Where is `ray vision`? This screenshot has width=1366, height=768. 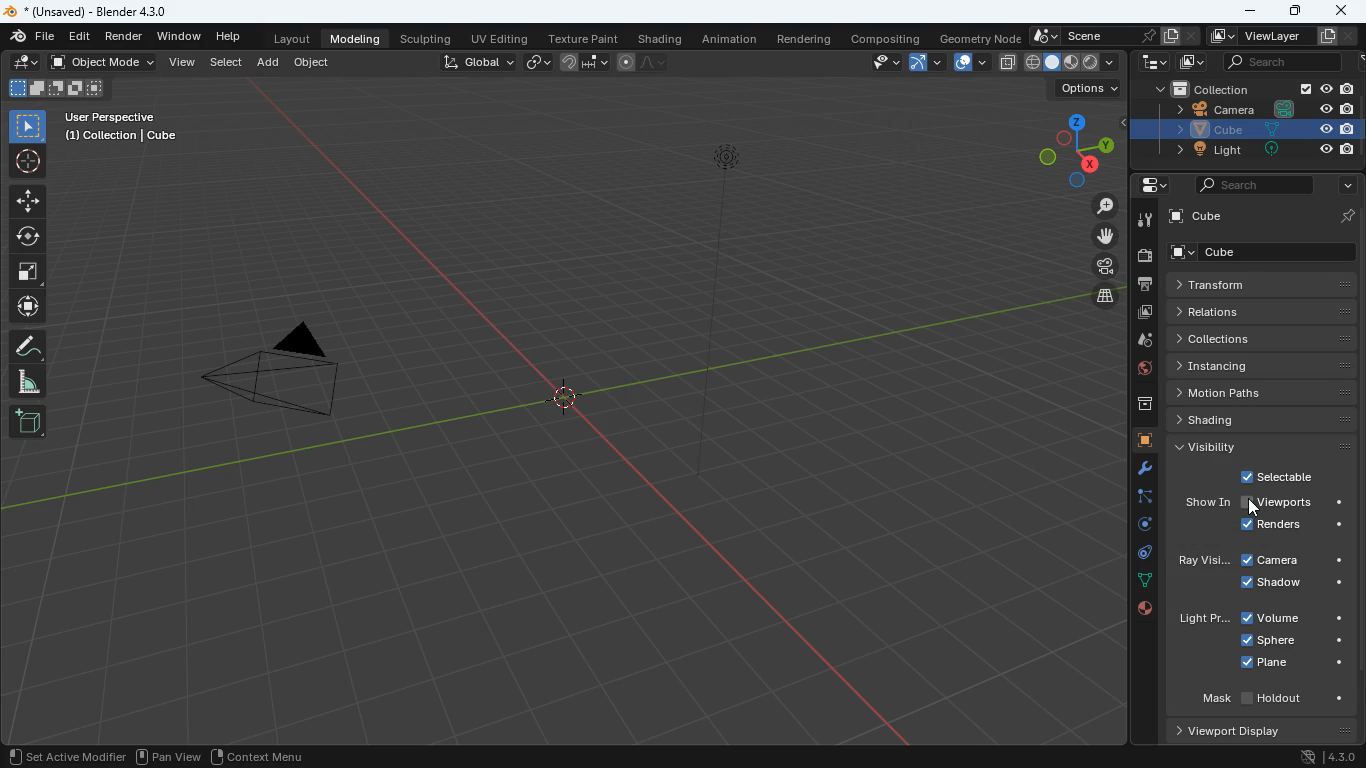 ray vision is located at coordinates (1205, 562).